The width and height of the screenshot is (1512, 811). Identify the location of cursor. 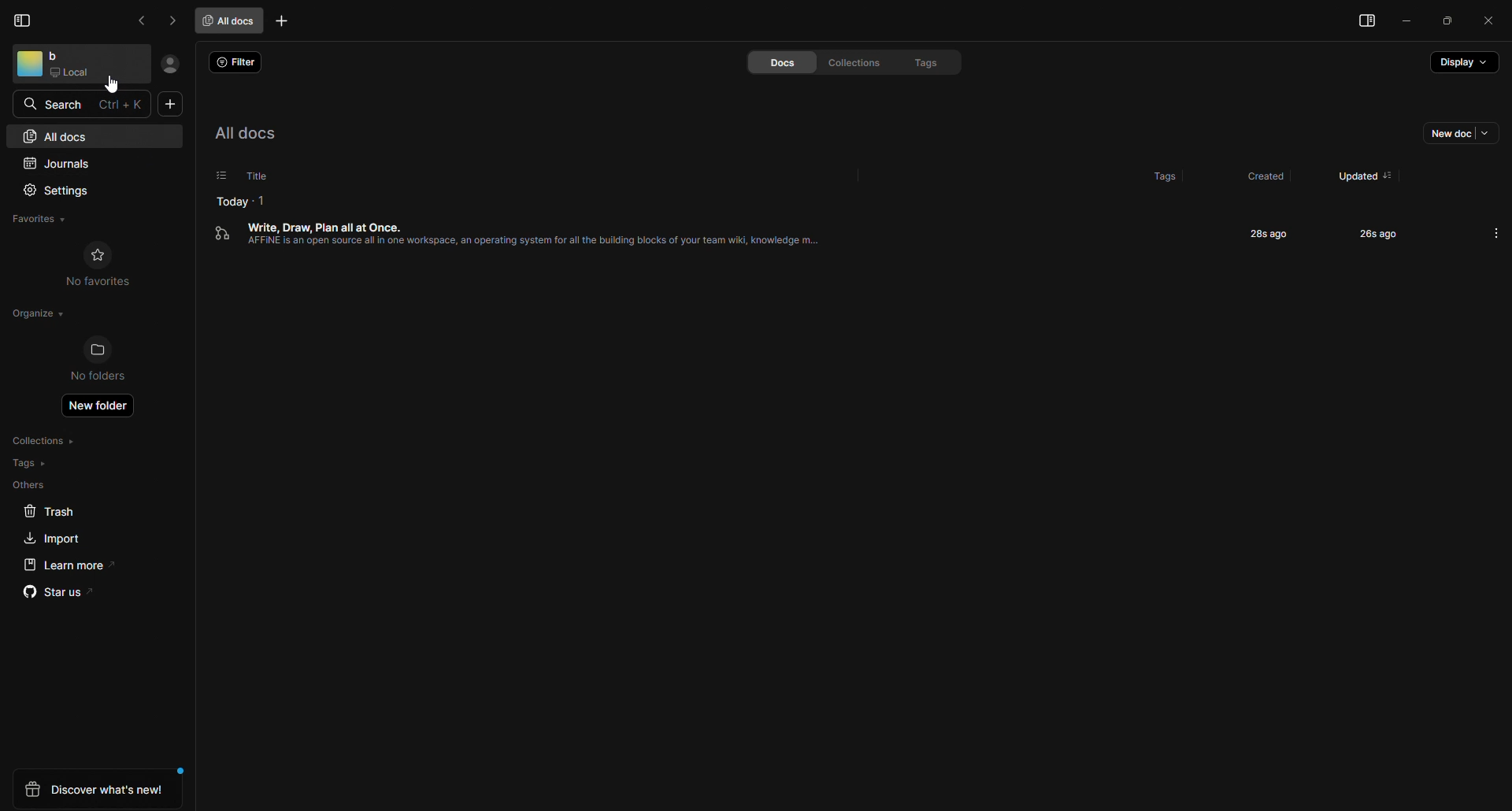
(116, 87).